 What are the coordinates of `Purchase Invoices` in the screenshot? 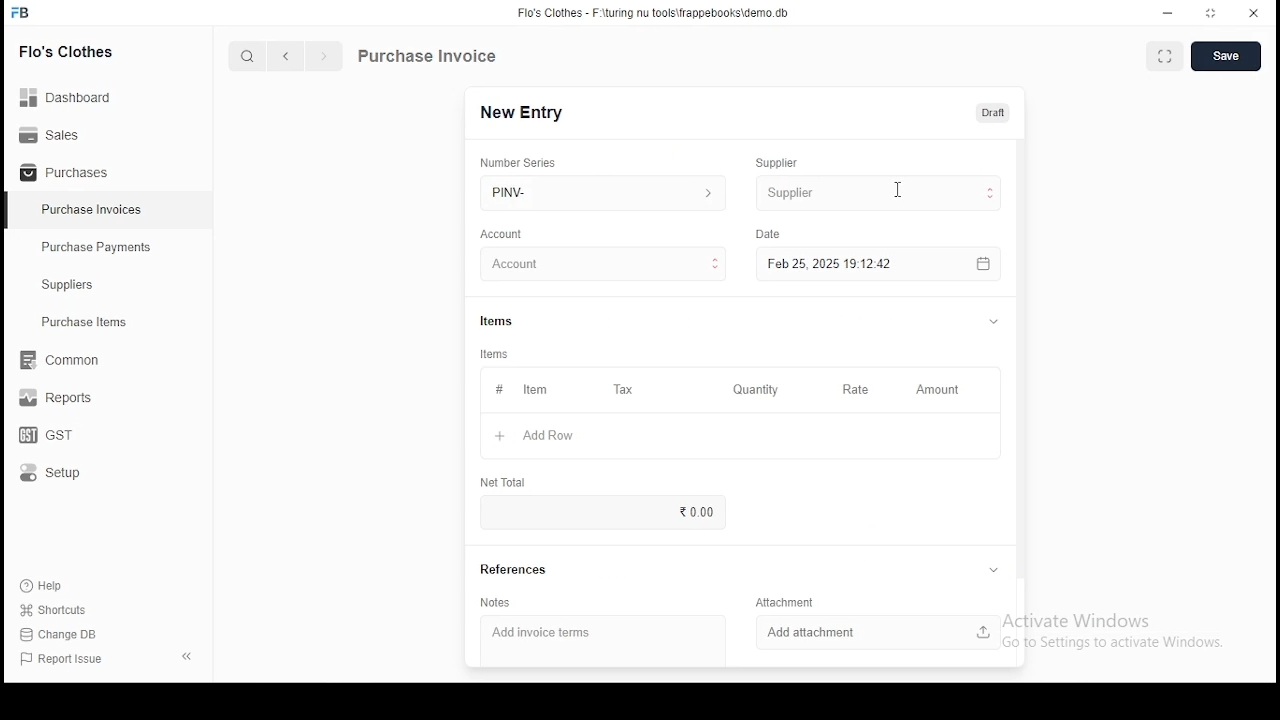 It's located at (95, 210).